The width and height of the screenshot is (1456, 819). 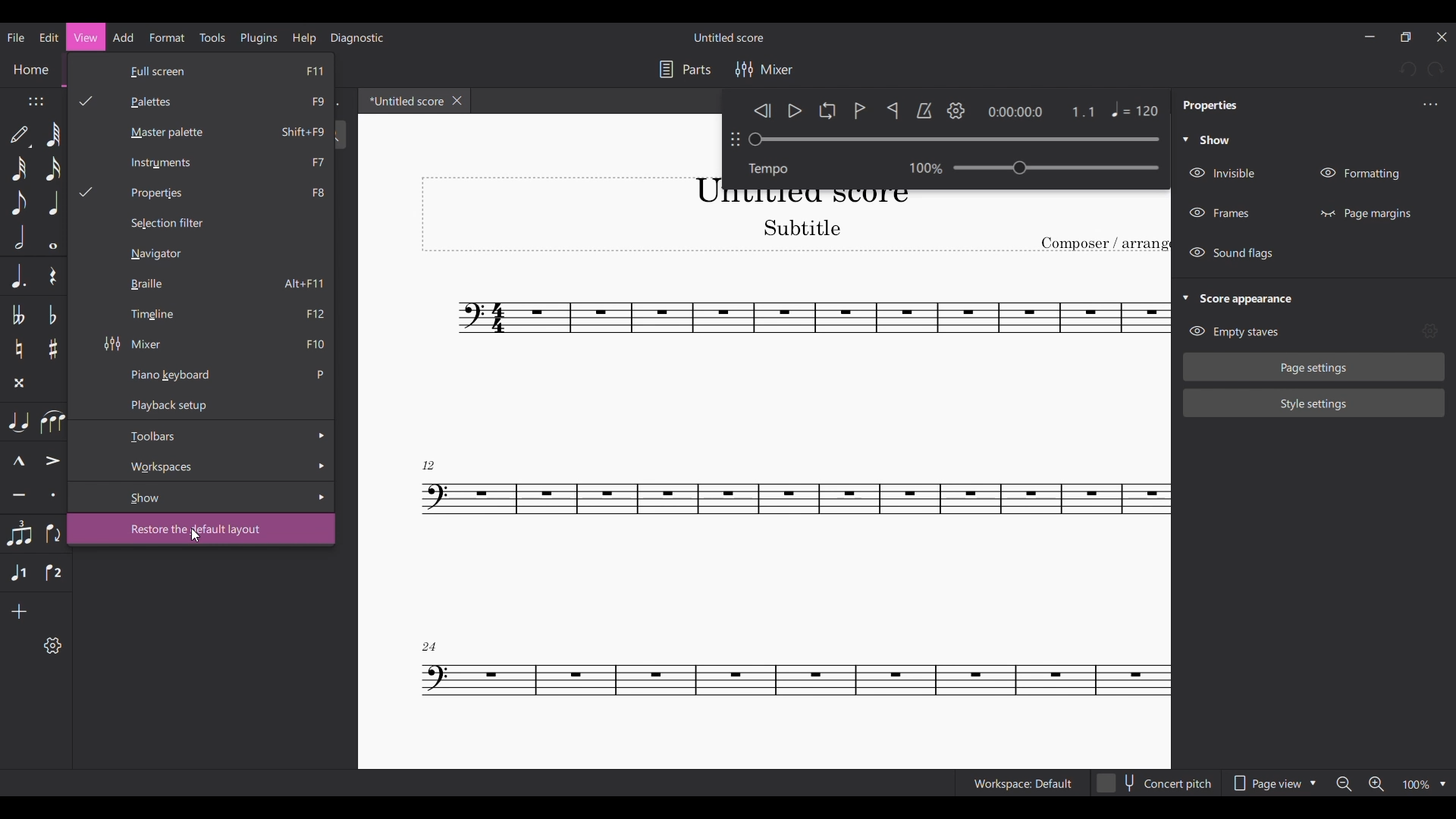 I want to click on Voice 2, so click(x=53, y=573).